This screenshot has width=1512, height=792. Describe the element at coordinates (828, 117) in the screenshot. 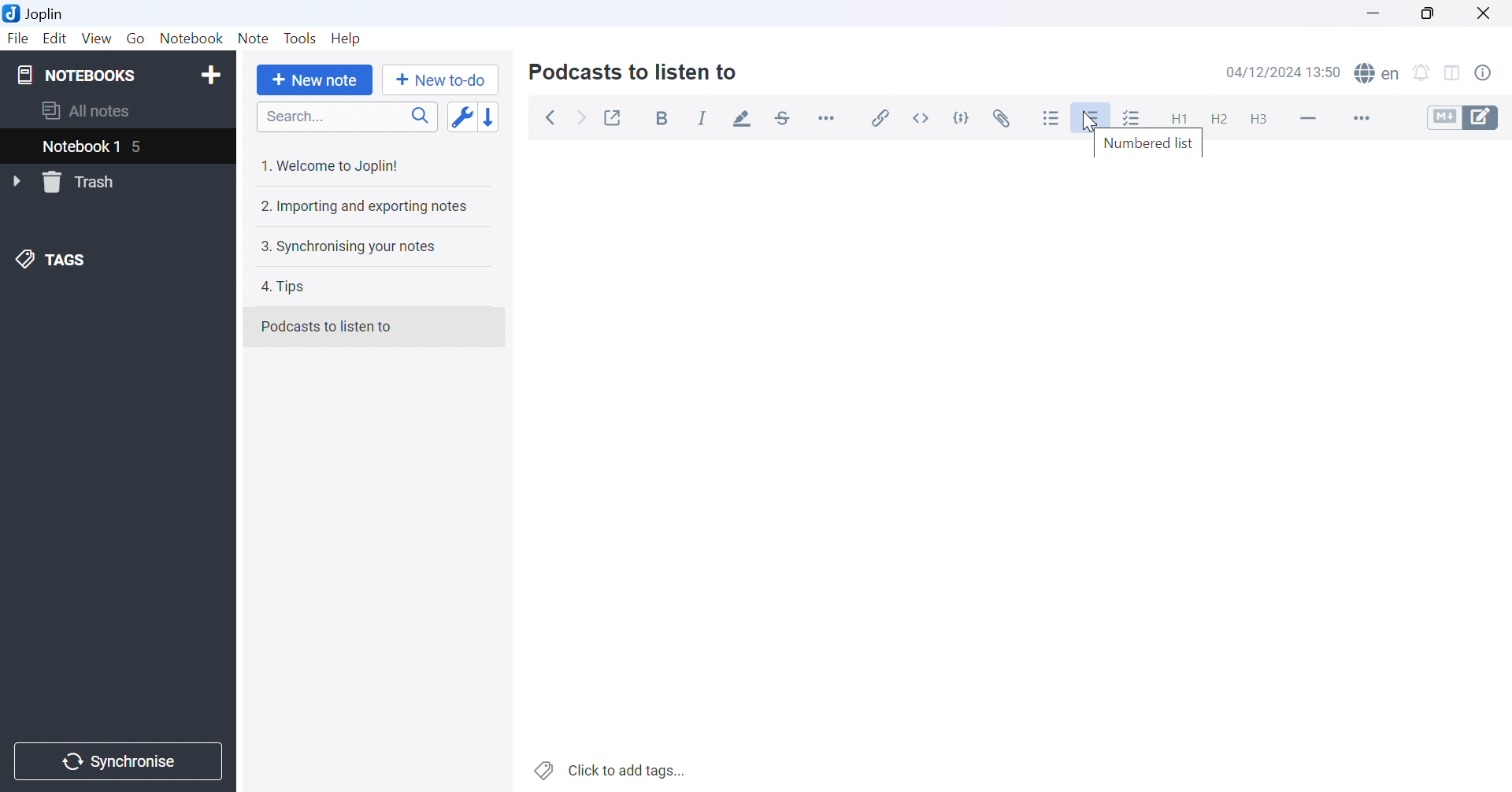

I see `Horizontal` at that location.